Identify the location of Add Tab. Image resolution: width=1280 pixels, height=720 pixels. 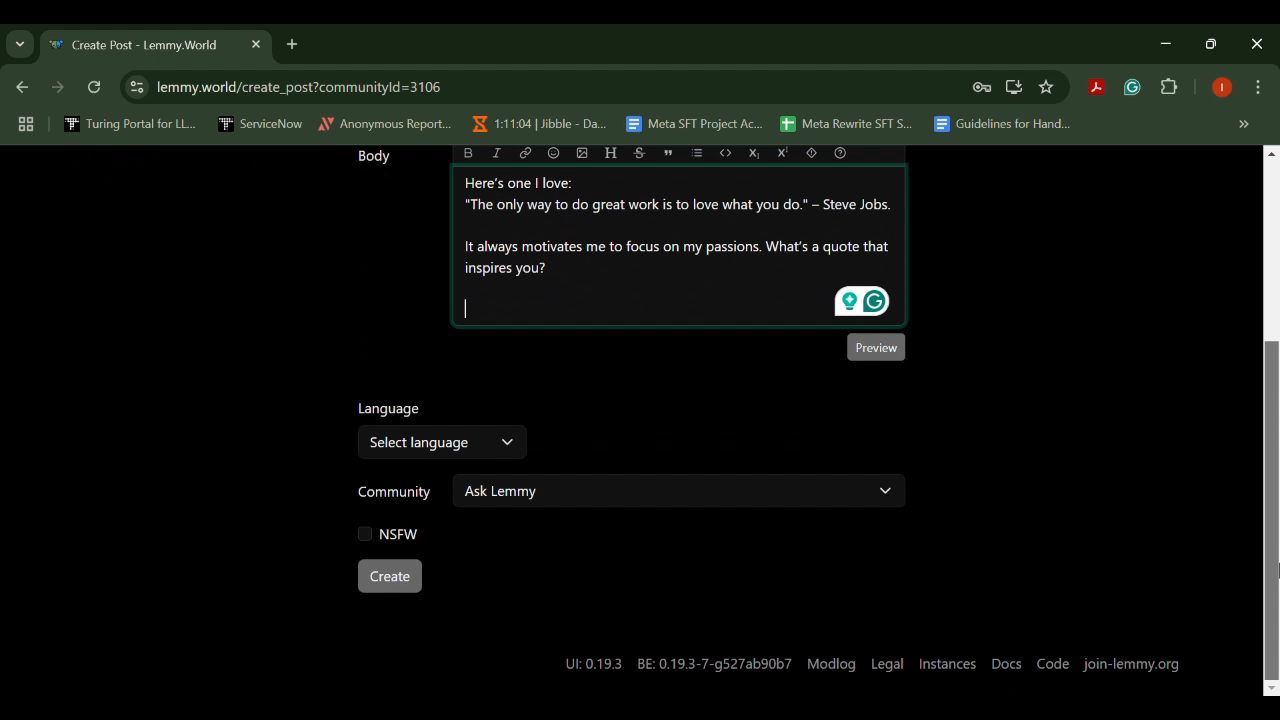
(291, 43).